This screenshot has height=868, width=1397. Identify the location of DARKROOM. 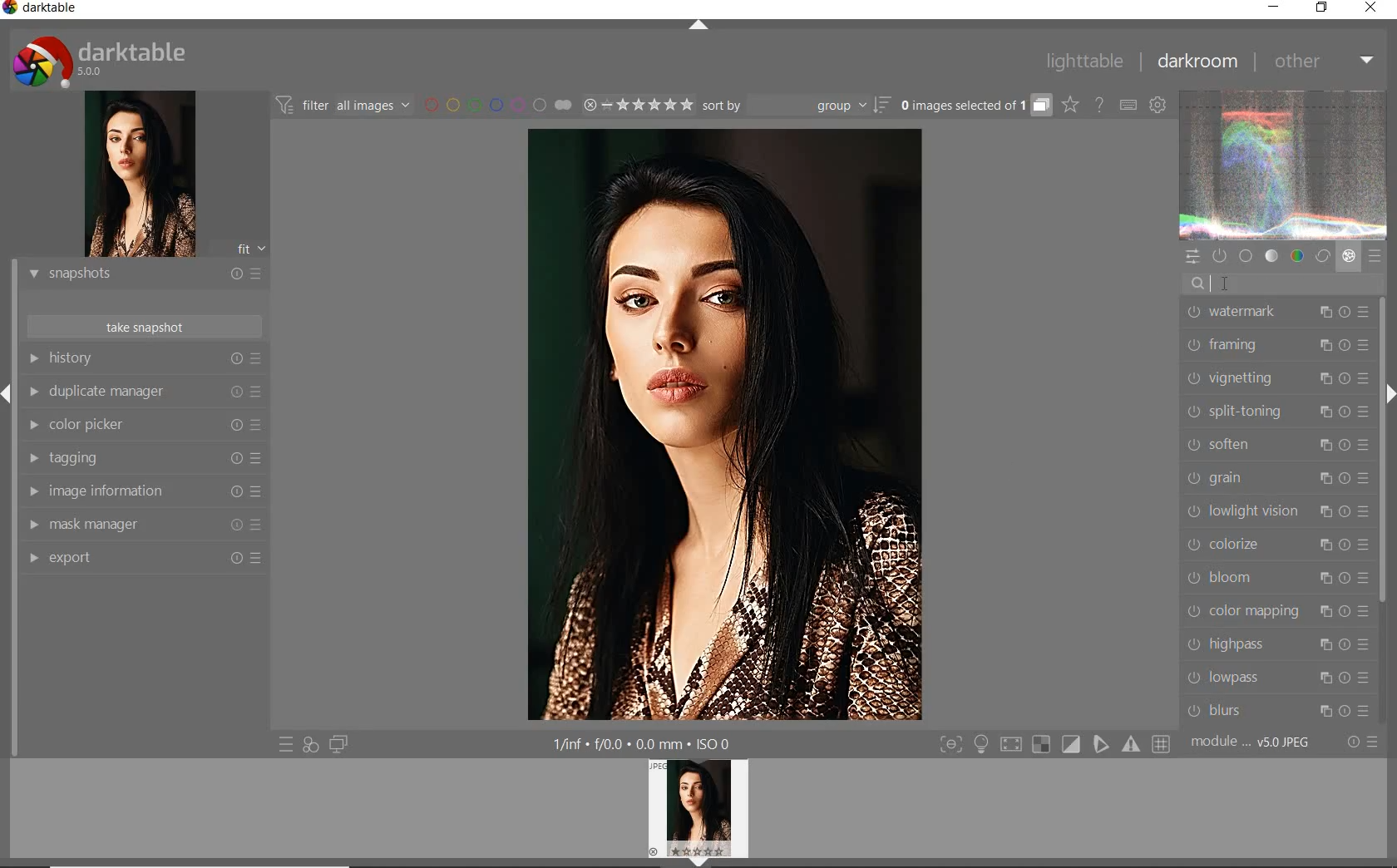
(1197, 62).